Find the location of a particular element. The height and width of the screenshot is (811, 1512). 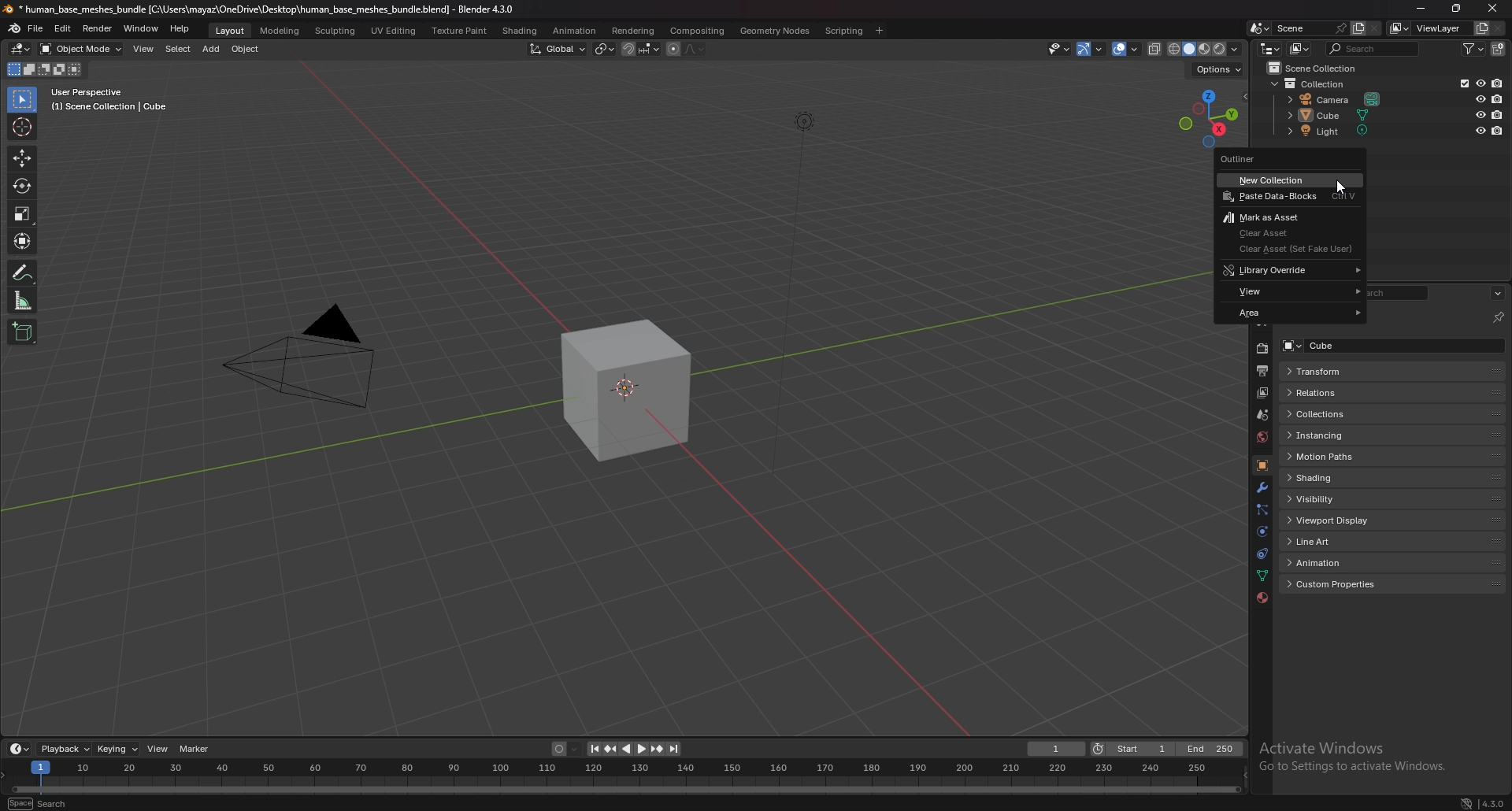

title is located at coordinates (261, 9).